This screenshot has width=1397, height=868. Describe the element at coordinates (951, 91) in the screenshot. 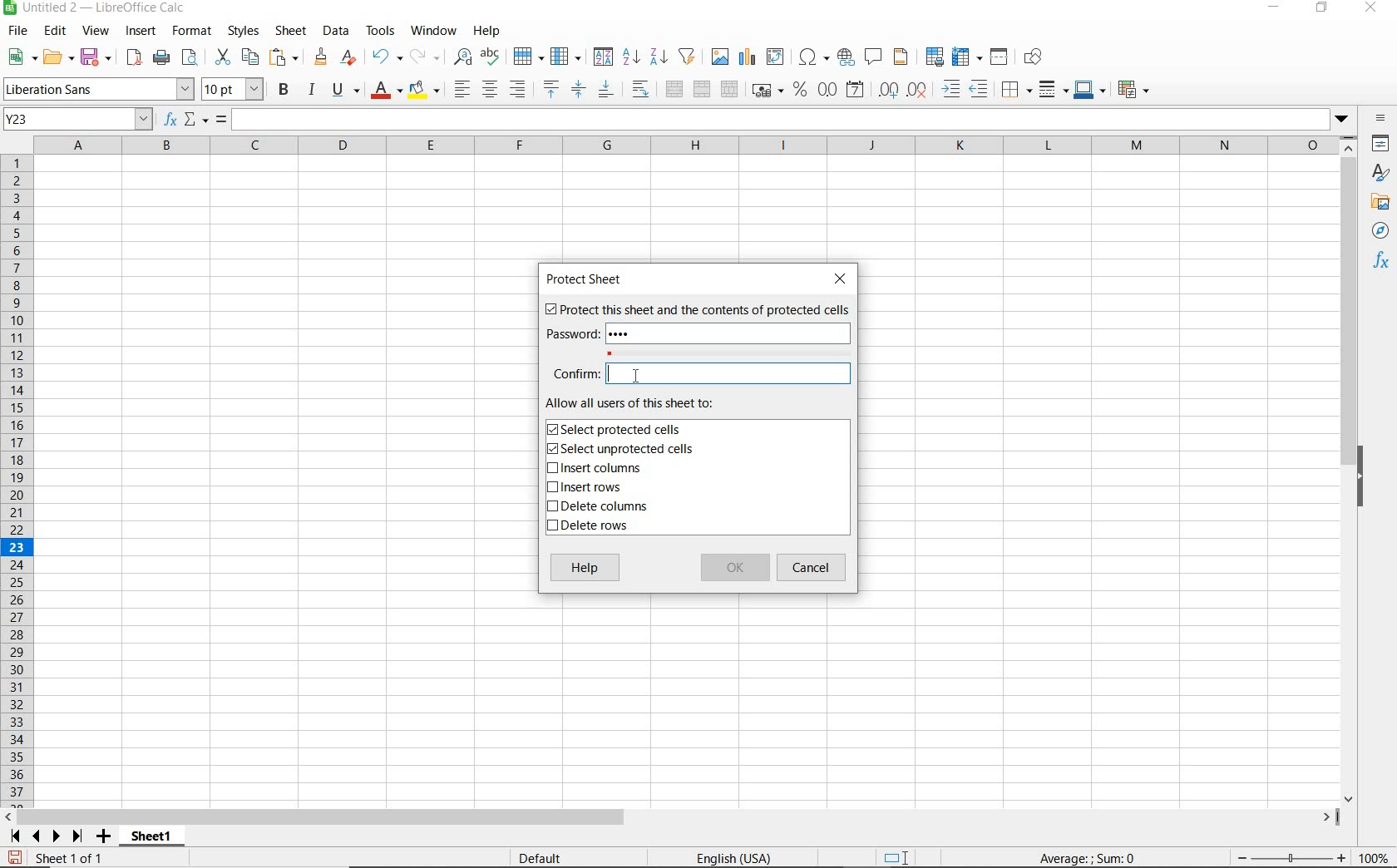

I see `INCREASE INDENT` at that location.